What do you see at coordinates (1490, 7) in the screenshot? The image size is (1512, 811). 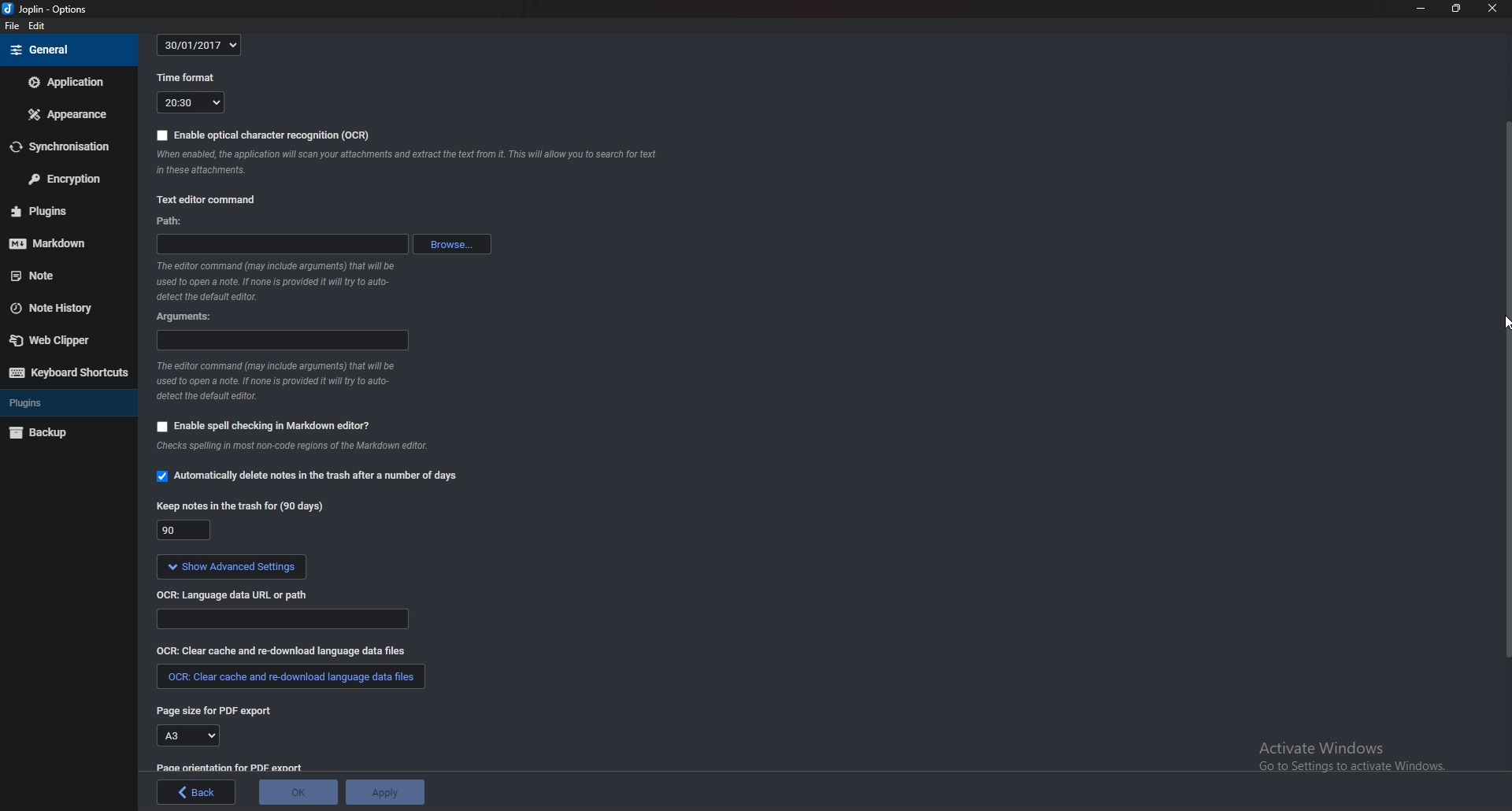 I see `close` at bounding box center [1490, 7].